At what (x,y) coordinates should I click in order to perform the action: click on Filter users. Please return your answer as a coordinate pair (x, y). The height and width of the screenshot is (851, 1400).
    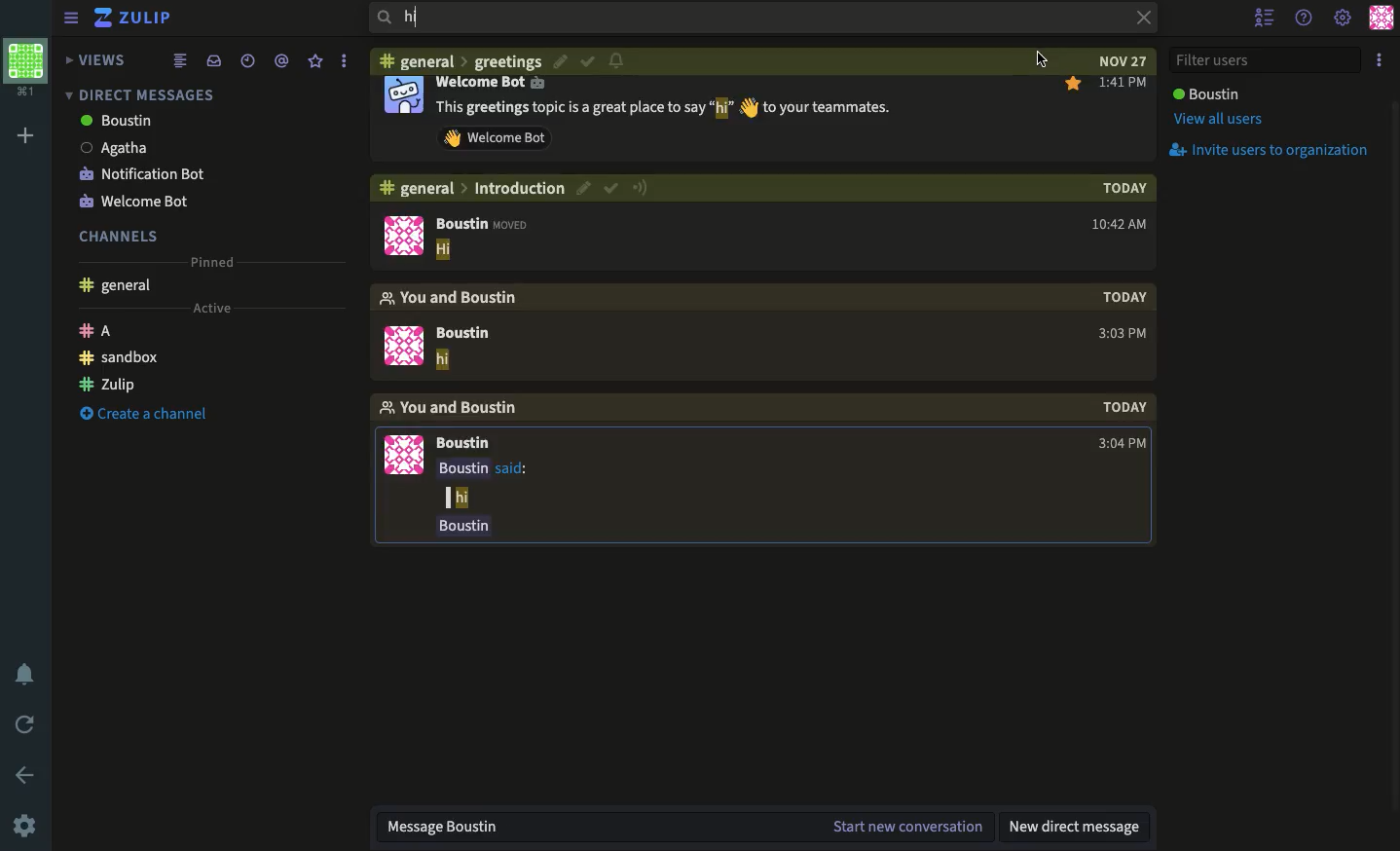
    Looking at the image, I should click on (1268, 59).